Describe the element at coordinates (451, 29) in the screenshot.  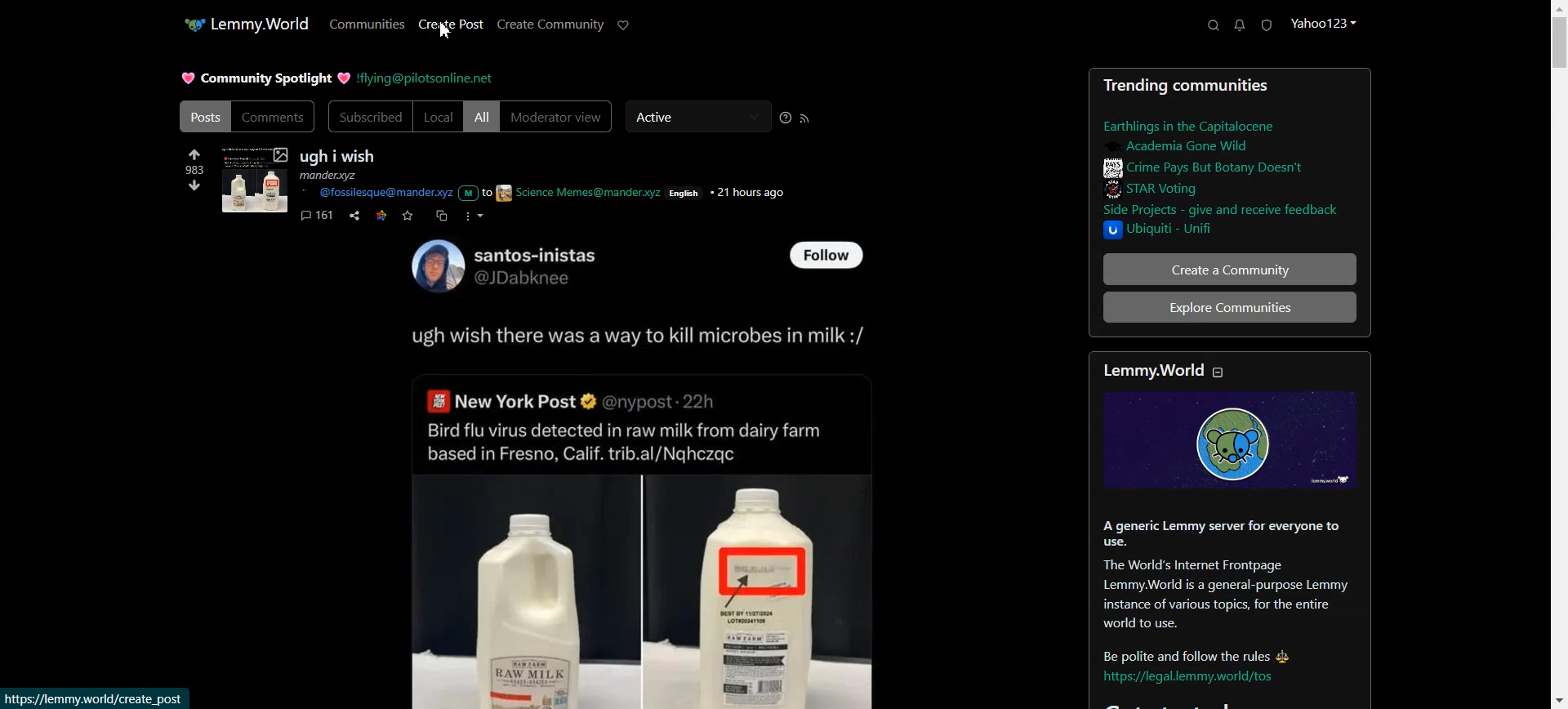
I see `Create Post` at that location.